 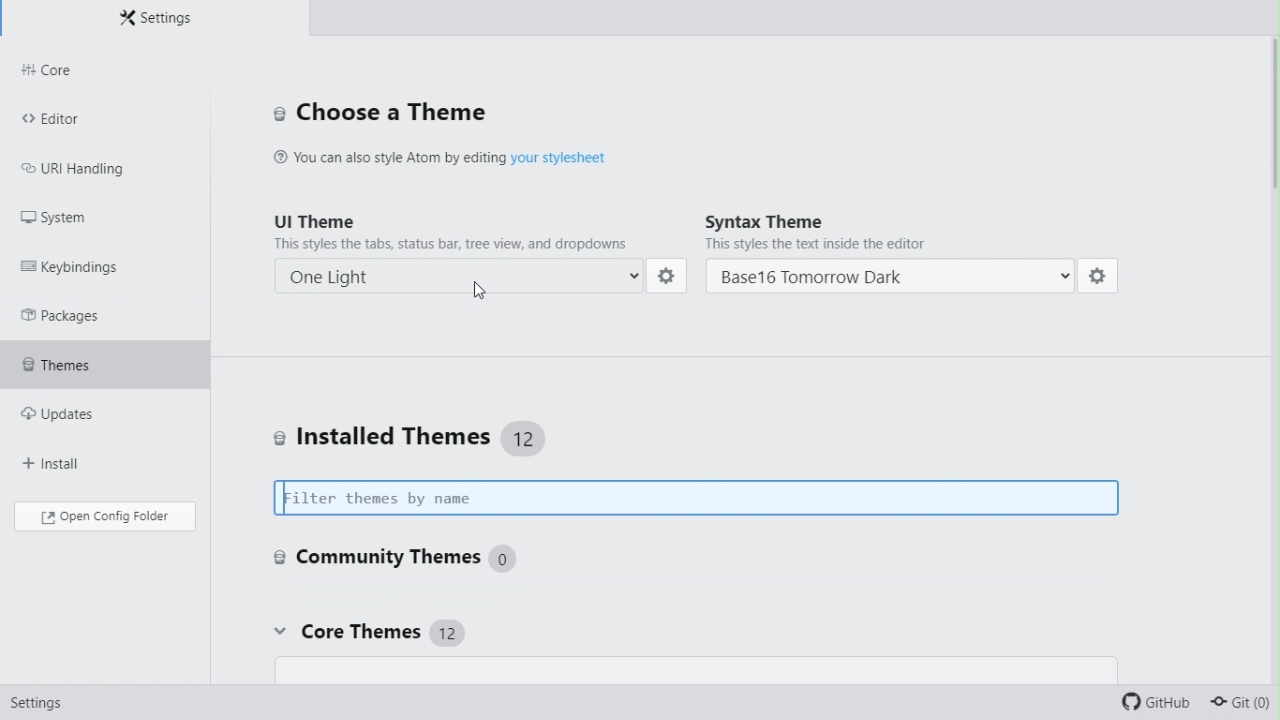 What do you see at coordinates (103, 516) in the screenshot?
I see `Open config folder` at bounding box center [103, 516].